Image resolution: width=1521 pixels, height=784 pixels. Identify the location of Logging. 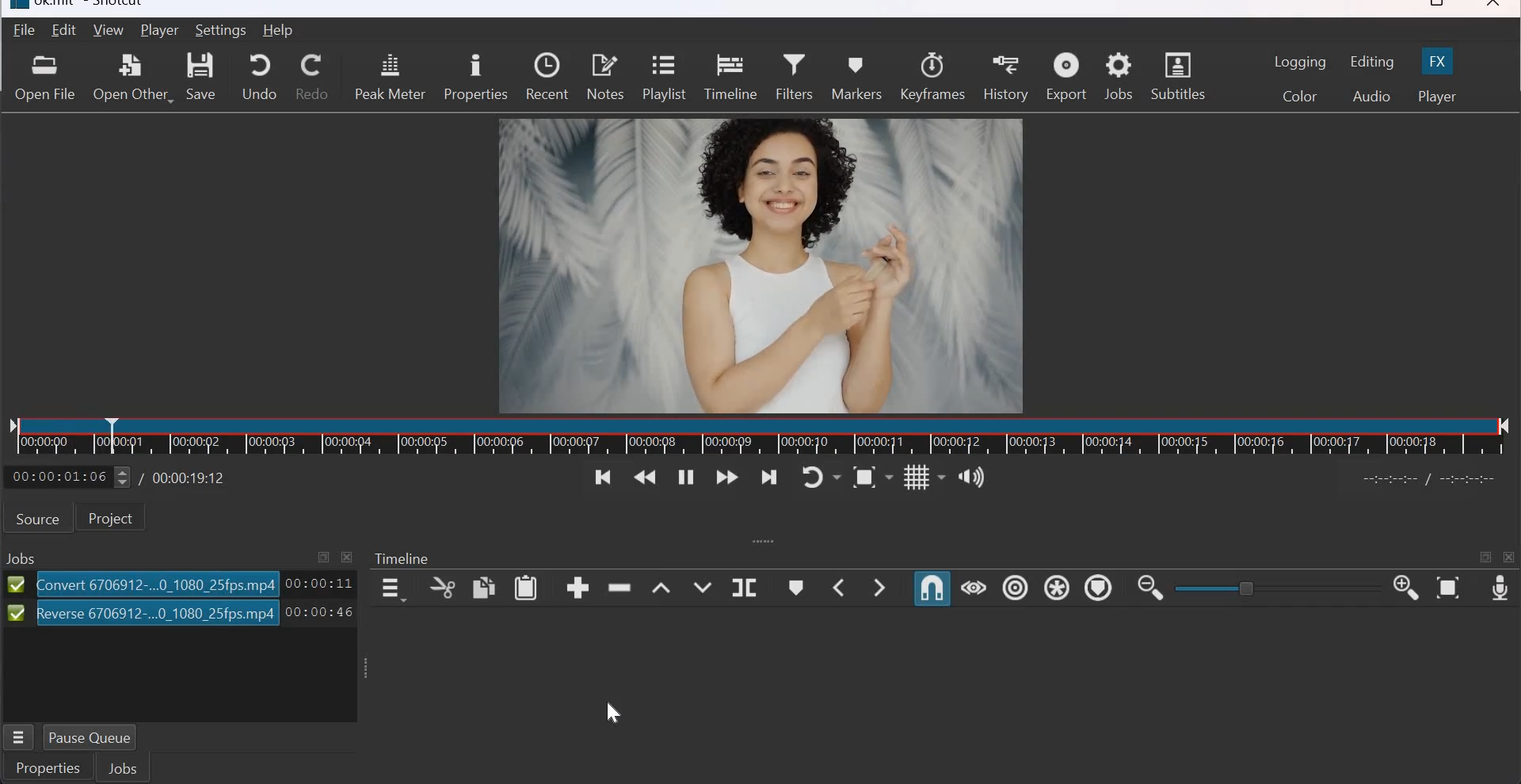
(1301, 62).